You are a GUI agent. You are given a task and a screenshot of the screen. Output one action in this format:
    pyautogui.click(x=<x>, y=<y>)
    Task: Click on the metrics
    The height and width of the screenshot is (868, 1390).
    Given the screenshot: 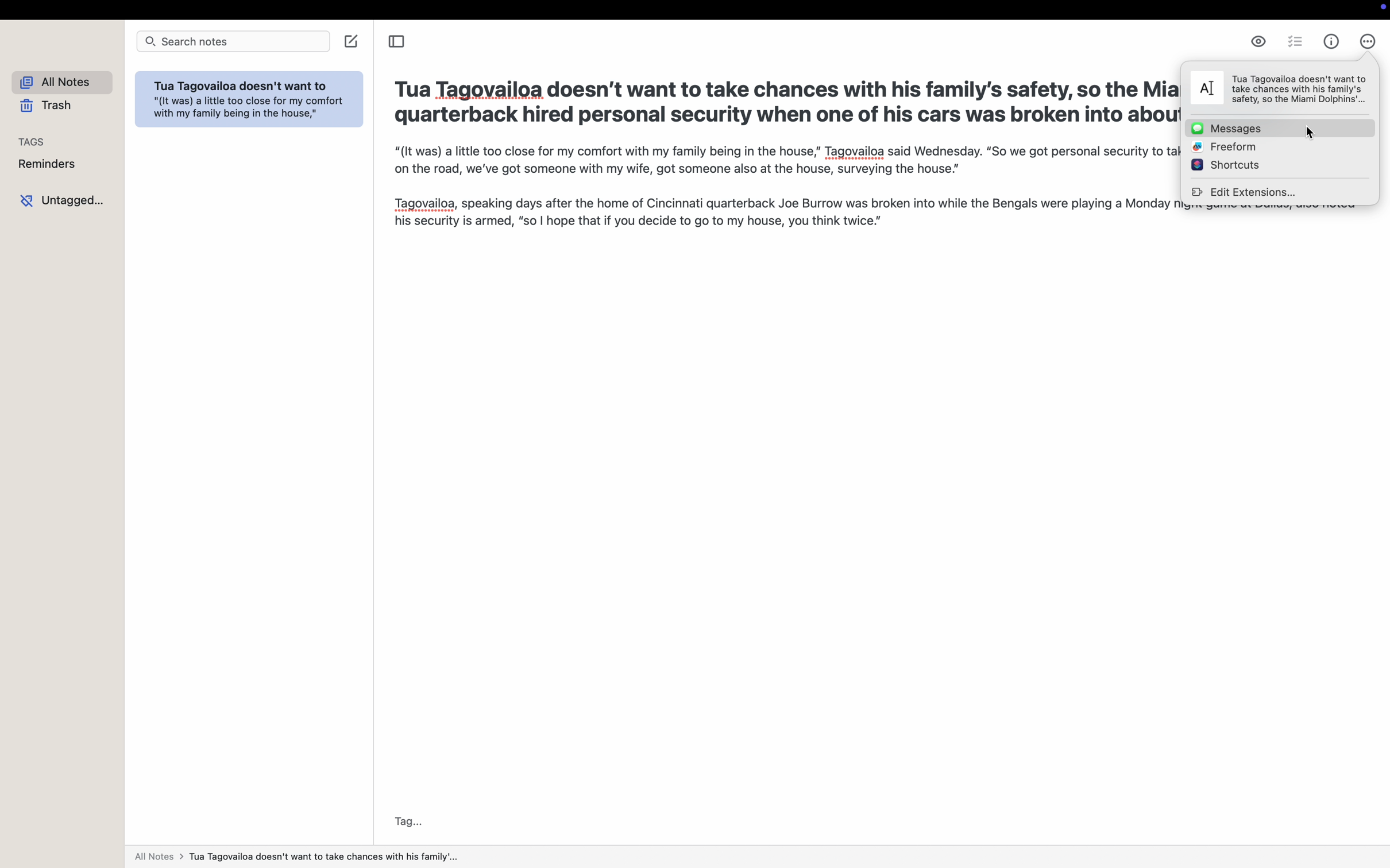 What is the action you would take?
    pyautogui.click(x=1333, y=42)
    